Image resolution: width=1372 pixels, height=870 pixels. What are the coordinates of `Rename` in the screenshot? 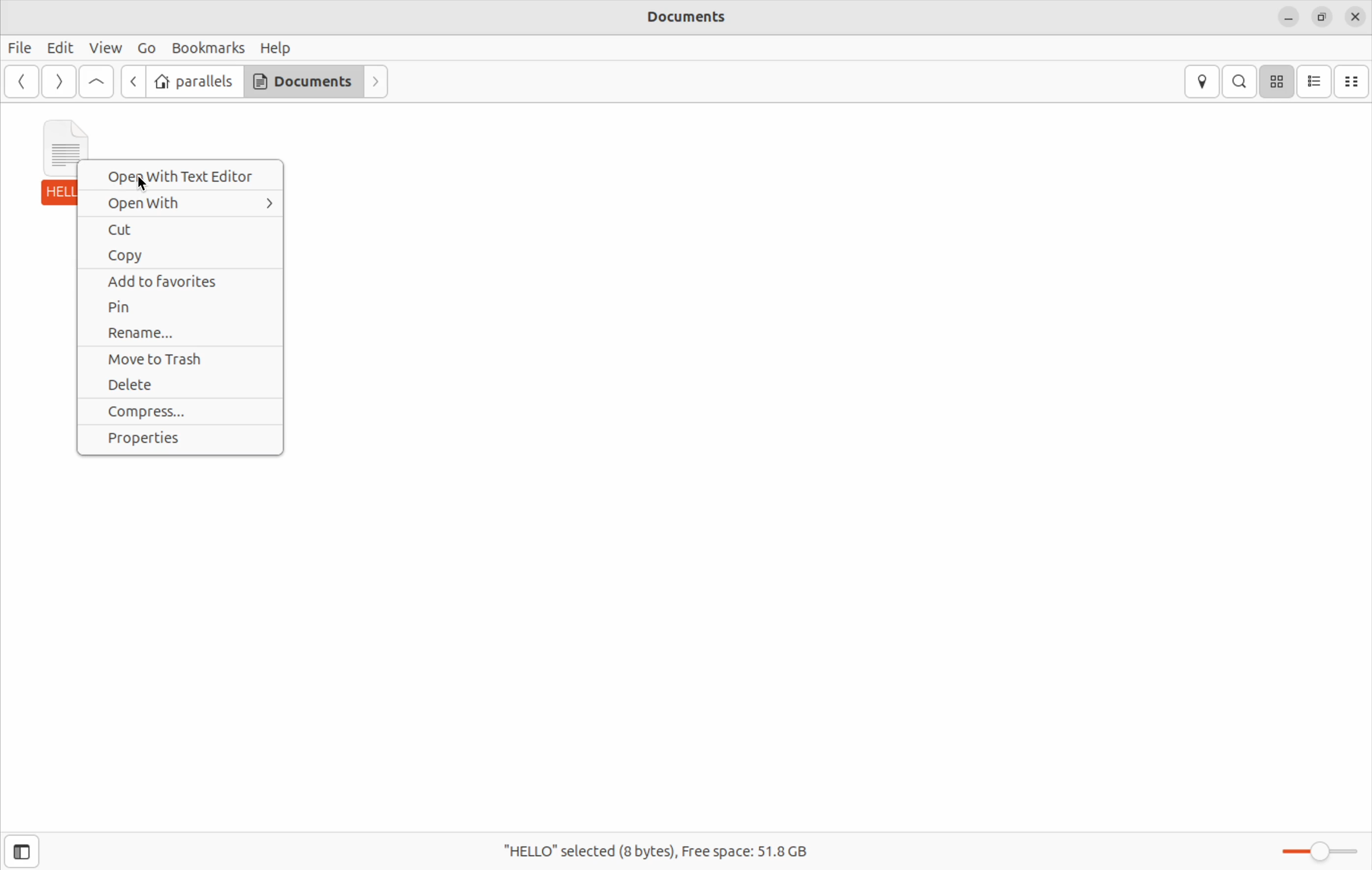 It's located at (174, 334).